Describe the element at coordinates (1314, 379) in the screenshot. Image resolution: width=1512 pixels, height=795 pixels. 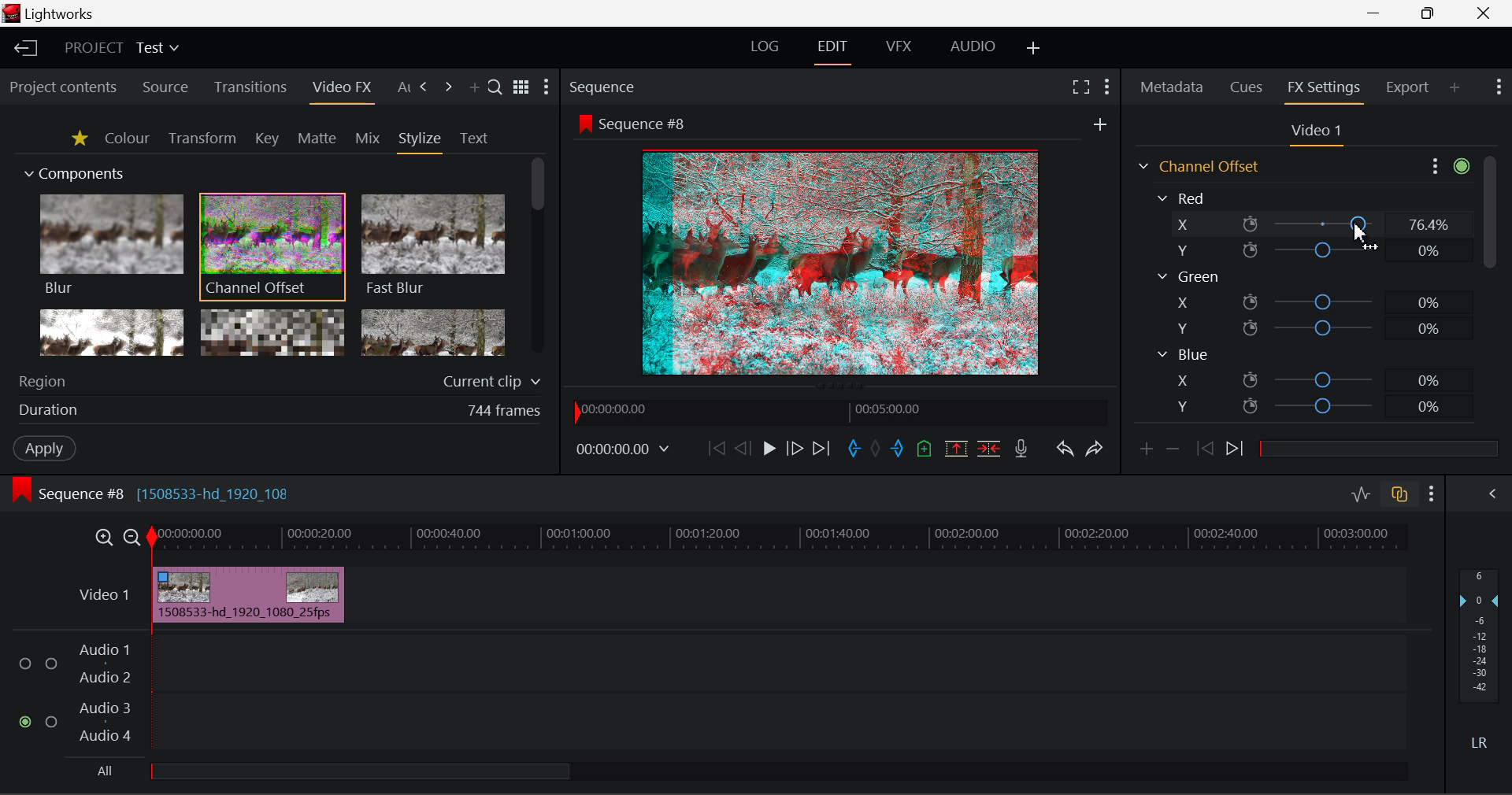
I see `Blue X` at that location.